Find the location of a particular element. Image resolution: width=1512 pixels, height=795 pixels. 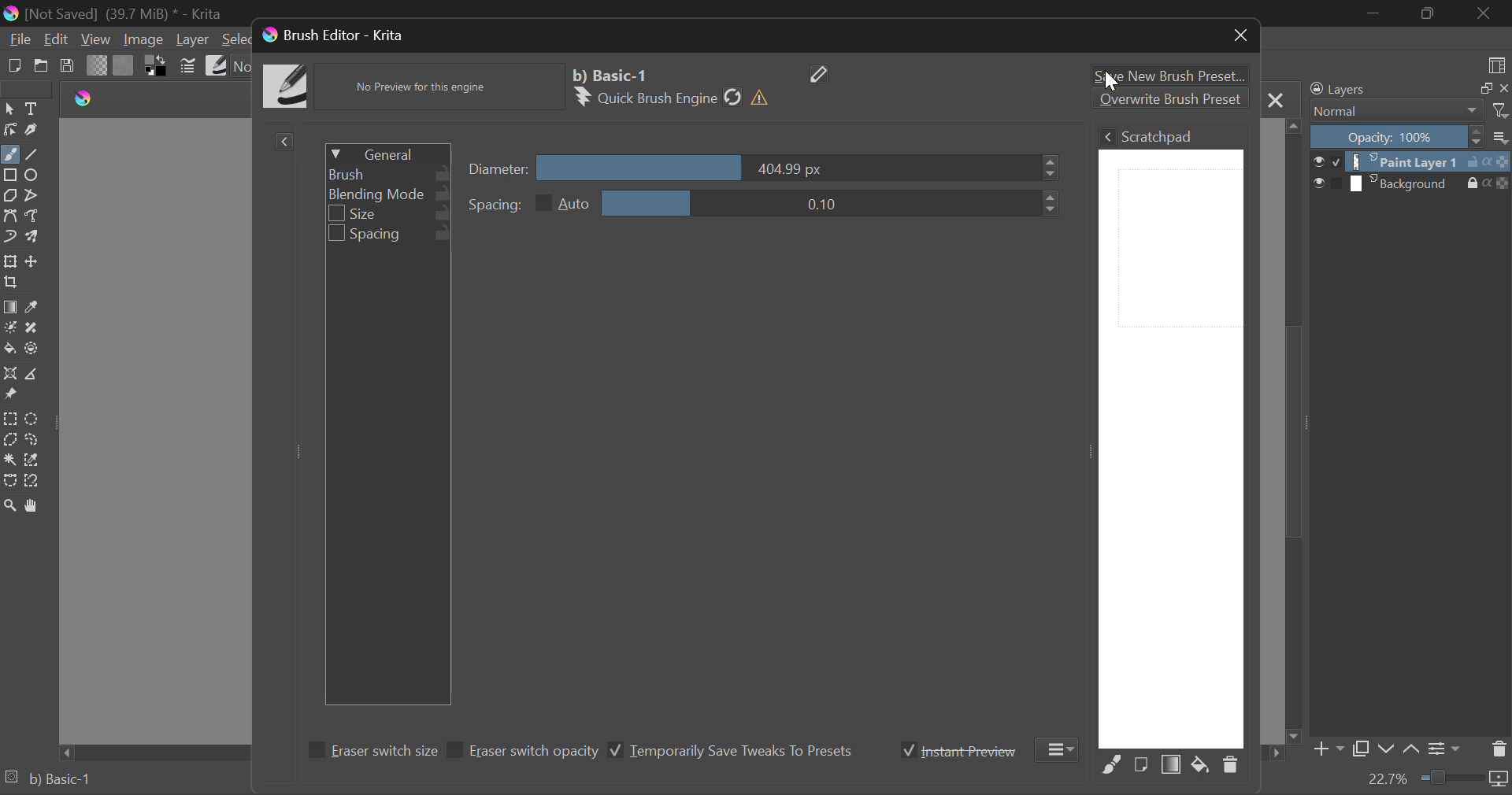

Open is located at coordinates (39, 65).